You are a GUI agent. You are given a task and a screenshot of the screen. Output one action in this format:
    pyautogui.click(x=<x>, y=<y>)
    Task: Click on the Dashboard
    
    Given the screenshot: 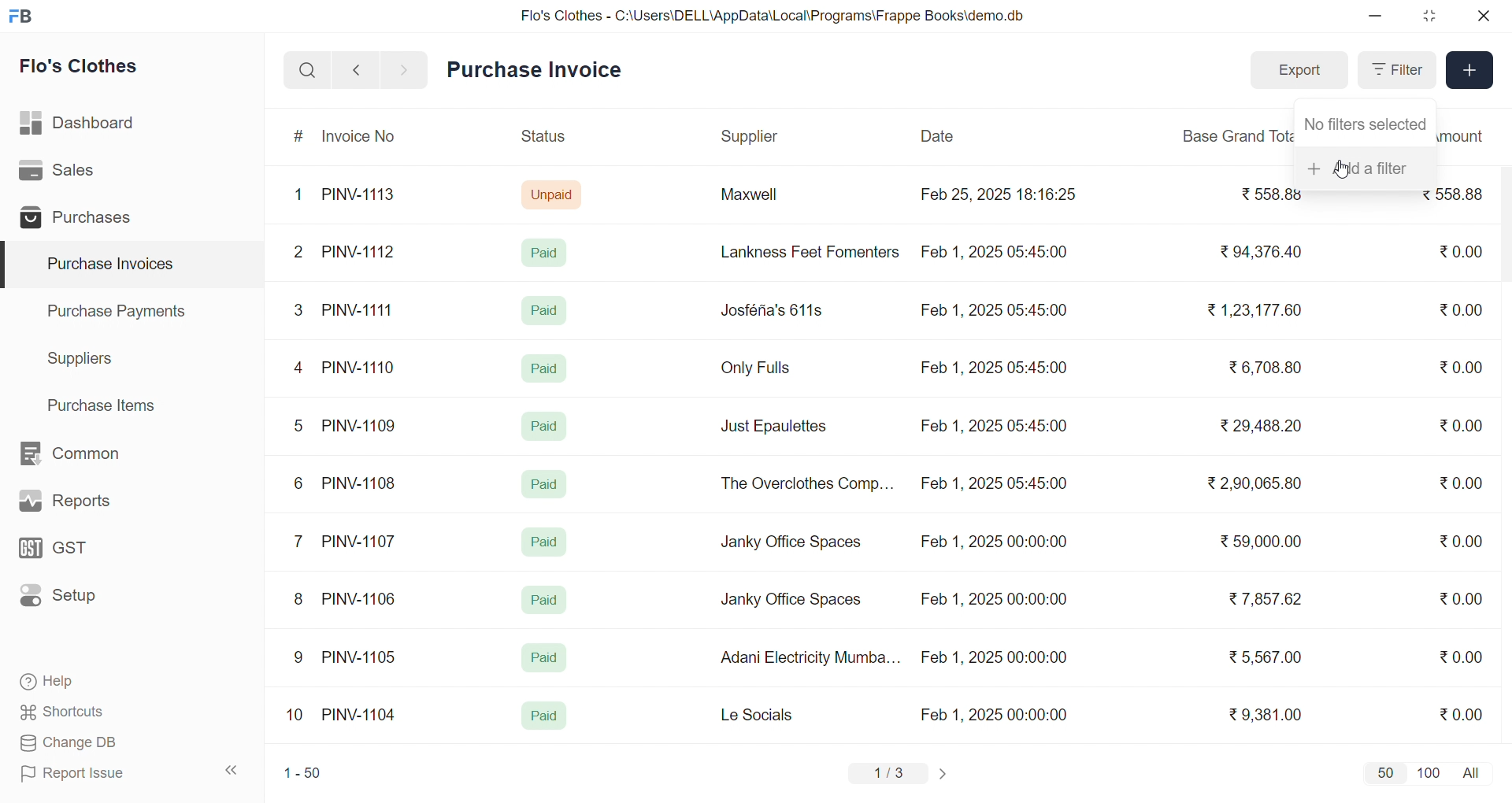 What is the action you would take?
    pyautogui.click(x=82, y=126)
    